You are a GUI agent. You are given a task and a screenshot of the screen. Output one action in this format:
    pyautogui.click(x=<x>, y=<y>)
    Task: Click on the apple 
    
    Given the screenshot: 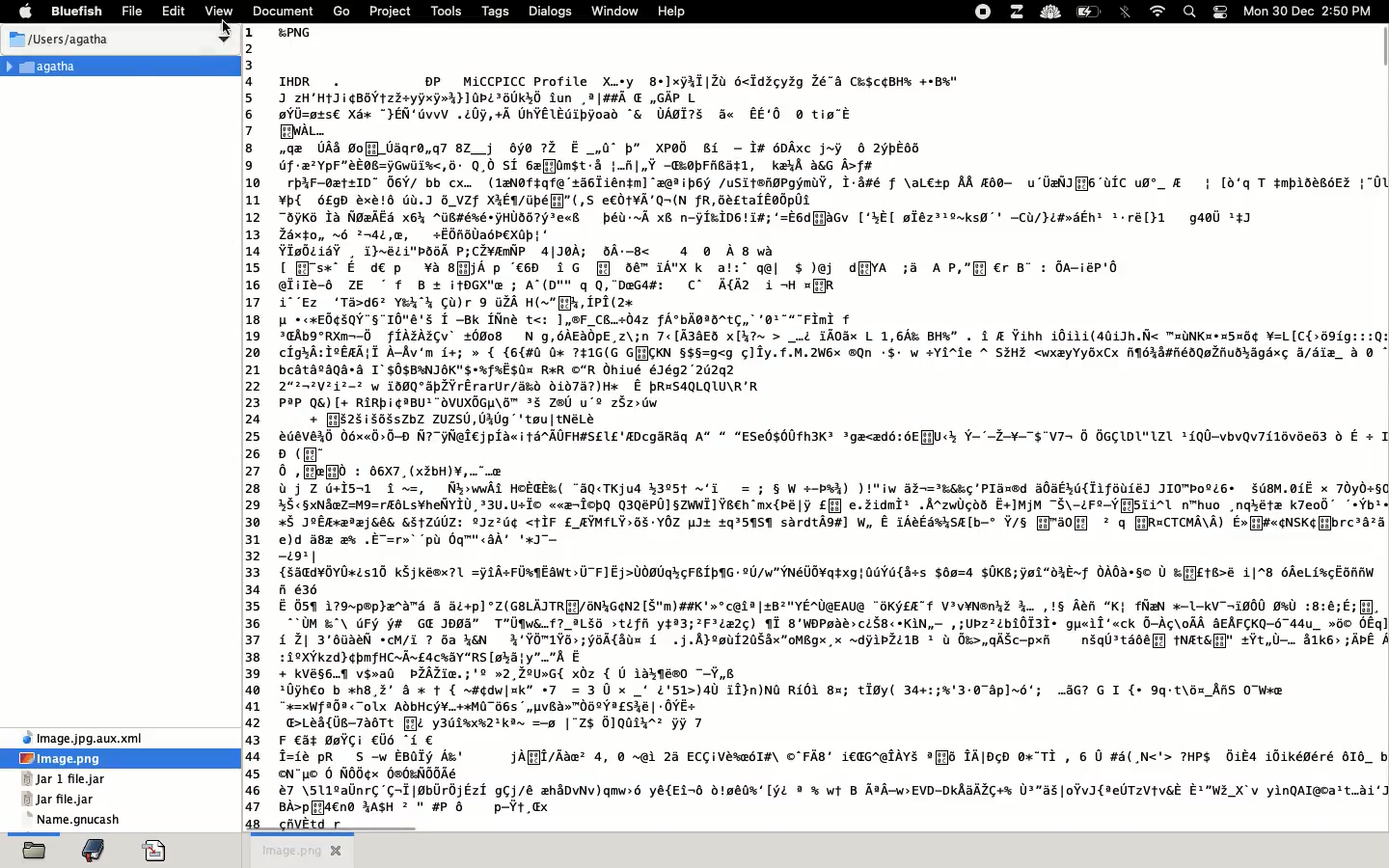 What is the action you would take?
    pyautogui.click(x=26, y=11)
    